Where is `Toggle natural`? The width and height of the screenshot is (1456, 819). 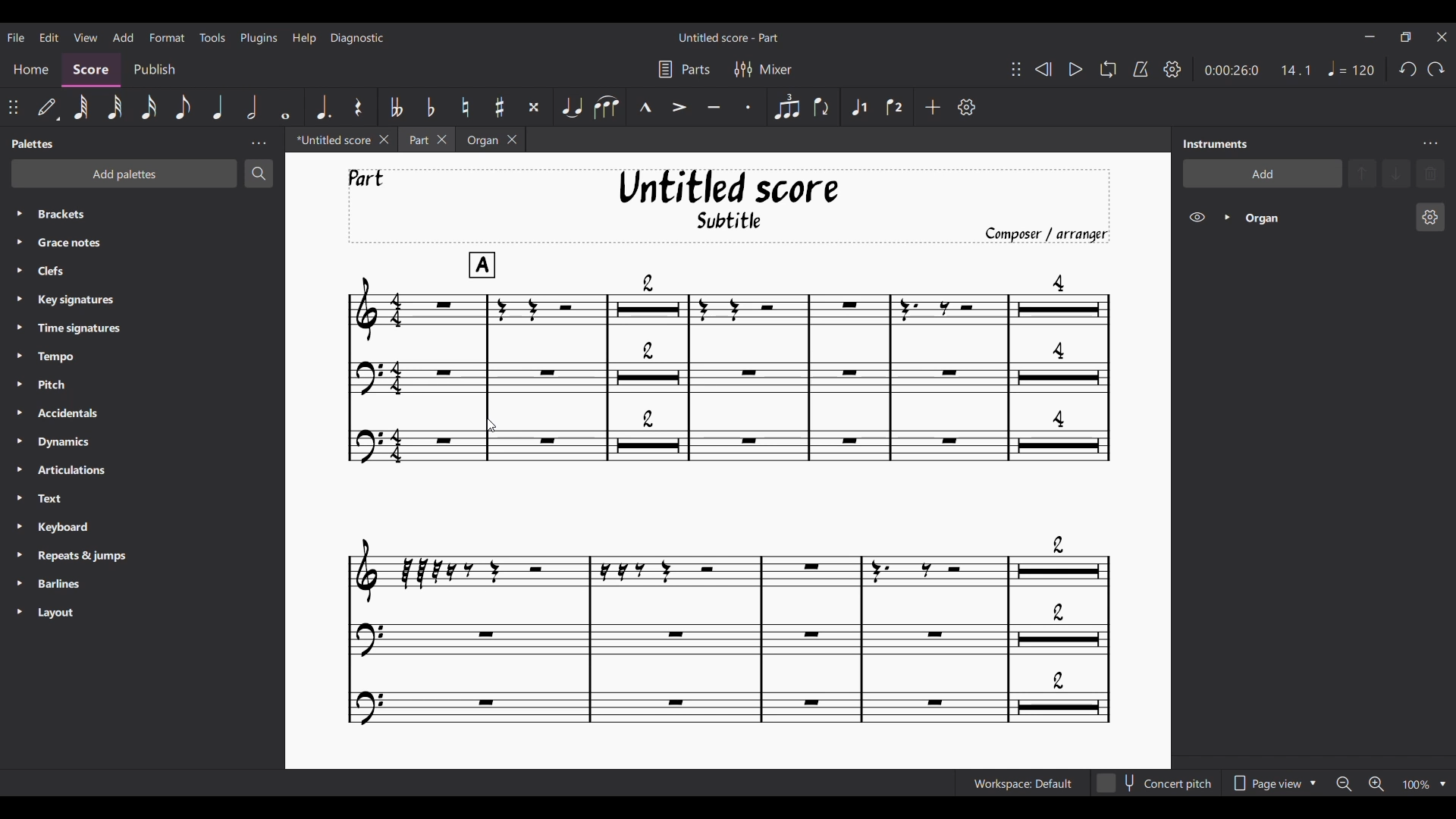
Toggle natural is located at coordinates (466, 106).